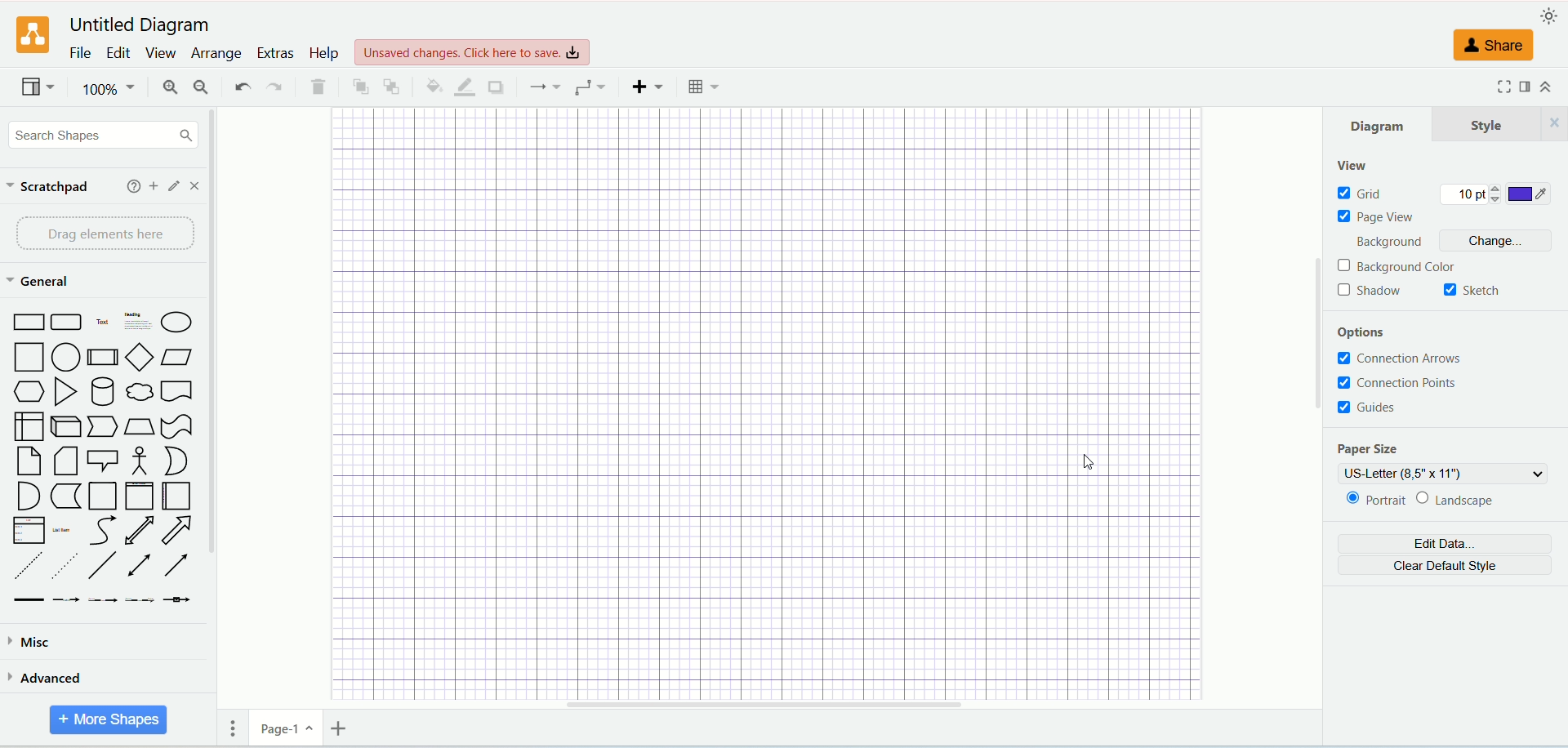  Describe the element at coordinates (131, 185) in the screenshot. I see `help` at that location.